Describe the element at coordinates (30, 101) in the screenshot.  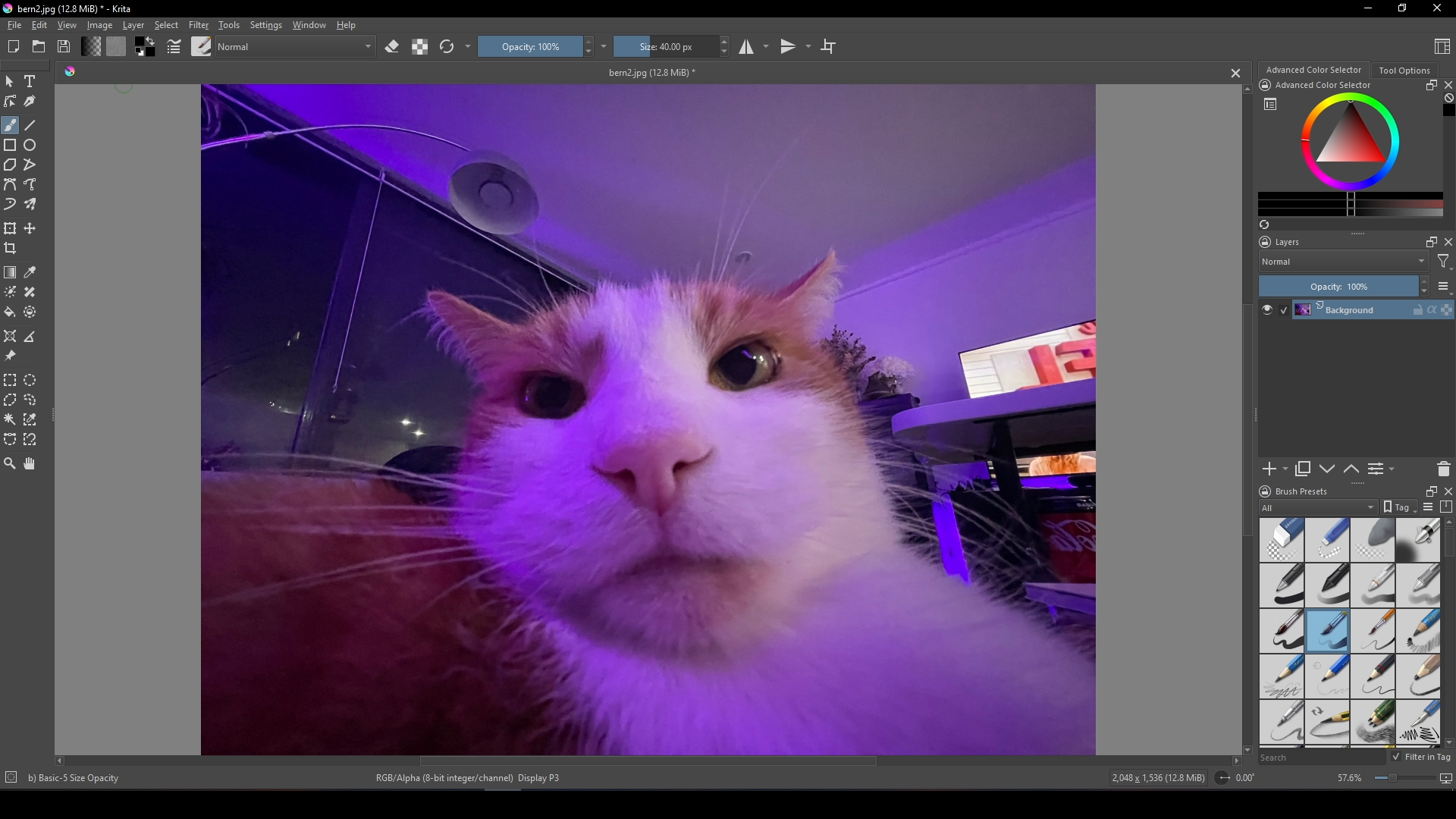
I see `Calligraphy` at that location.